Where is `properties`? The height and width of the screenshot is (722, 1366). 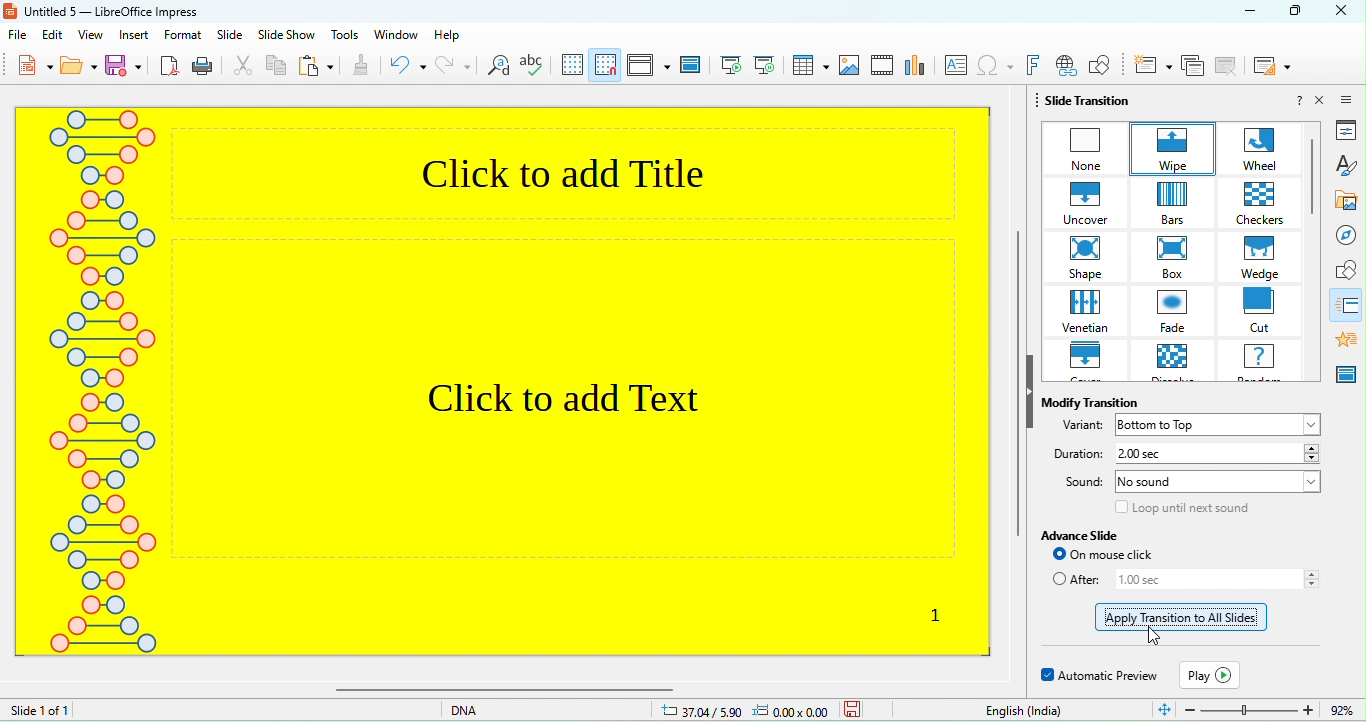
properties is located at coordinates (1340, 130).